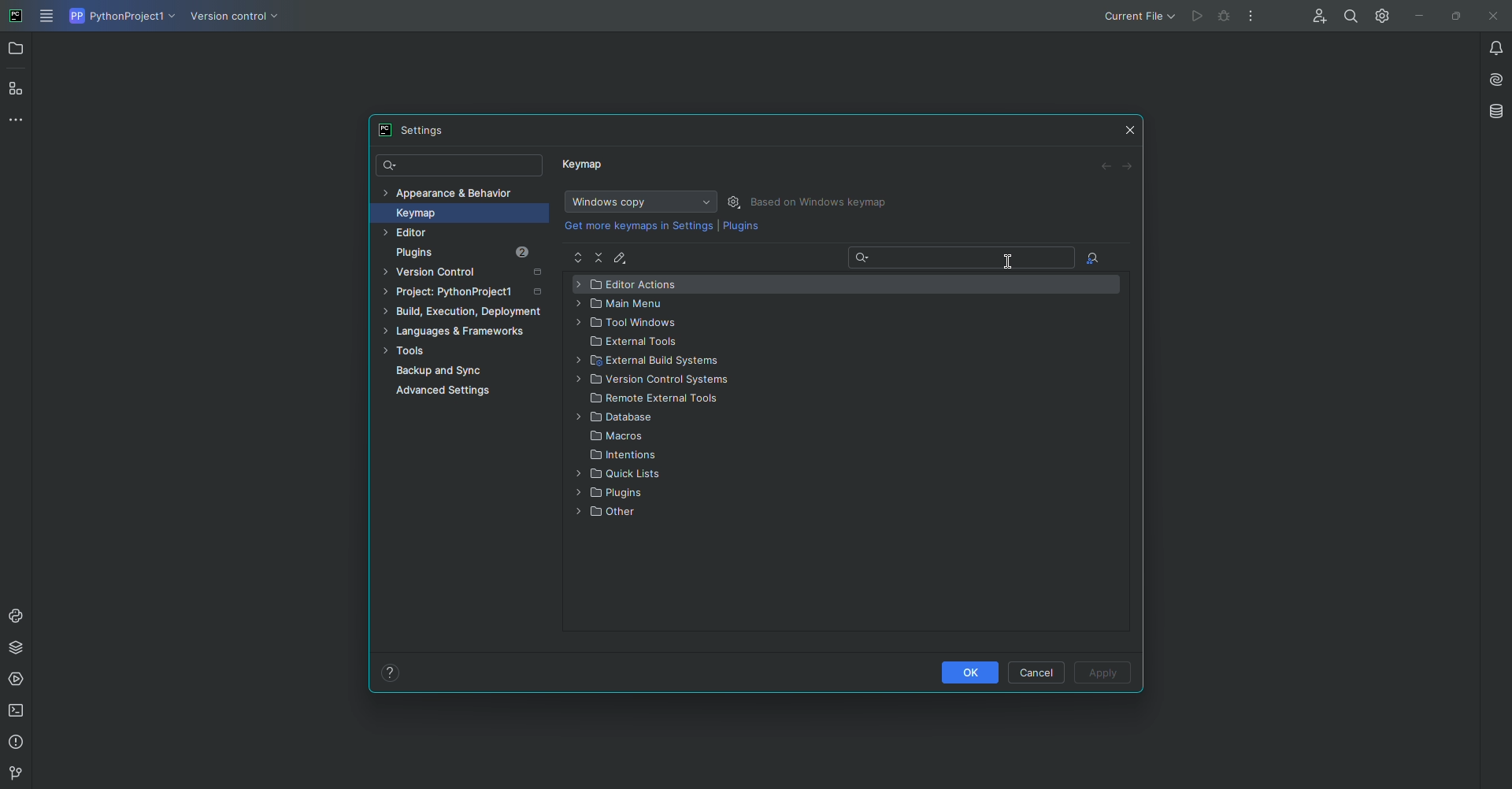 The height and width of the screenshot is (789, 1512). Describe the element at coordinates (1106, 167) in the screenshot. I see `Back` at that location.